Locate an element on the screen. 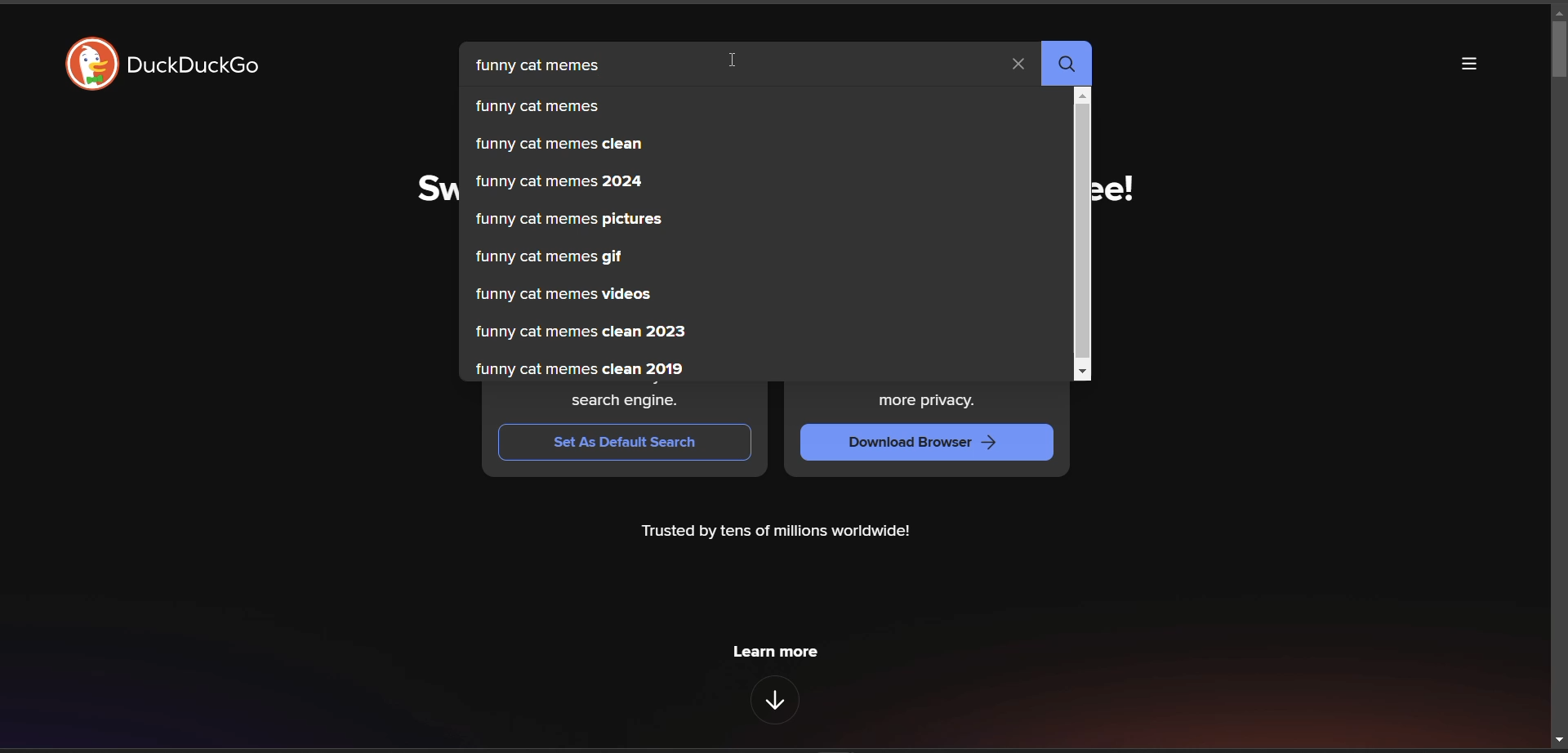 The height and width of the screenshot is (753, 1568). more options is located at coordinates (1469, 64).